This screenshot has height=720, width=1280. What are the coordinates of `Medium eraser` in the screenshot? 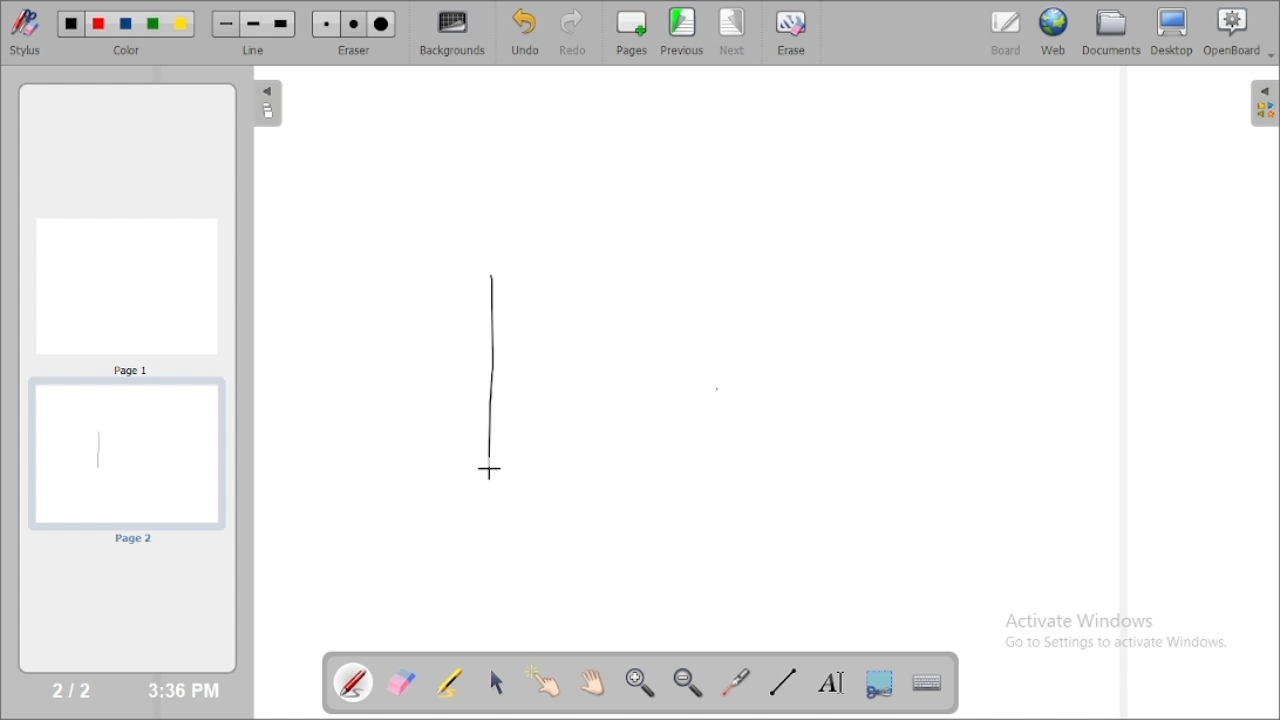 It's located at (354, 25).